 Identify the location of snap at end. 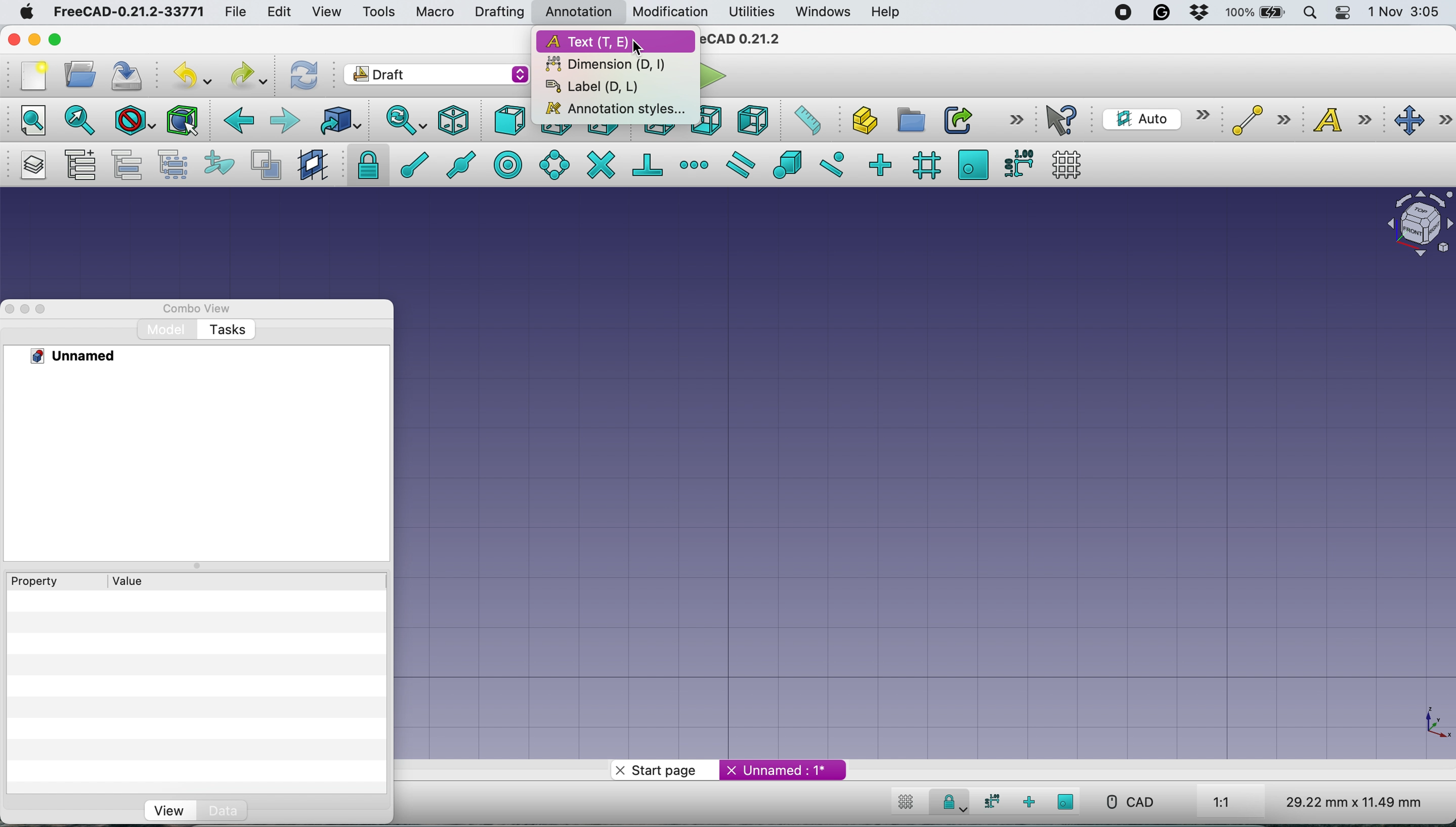
(410, 166).